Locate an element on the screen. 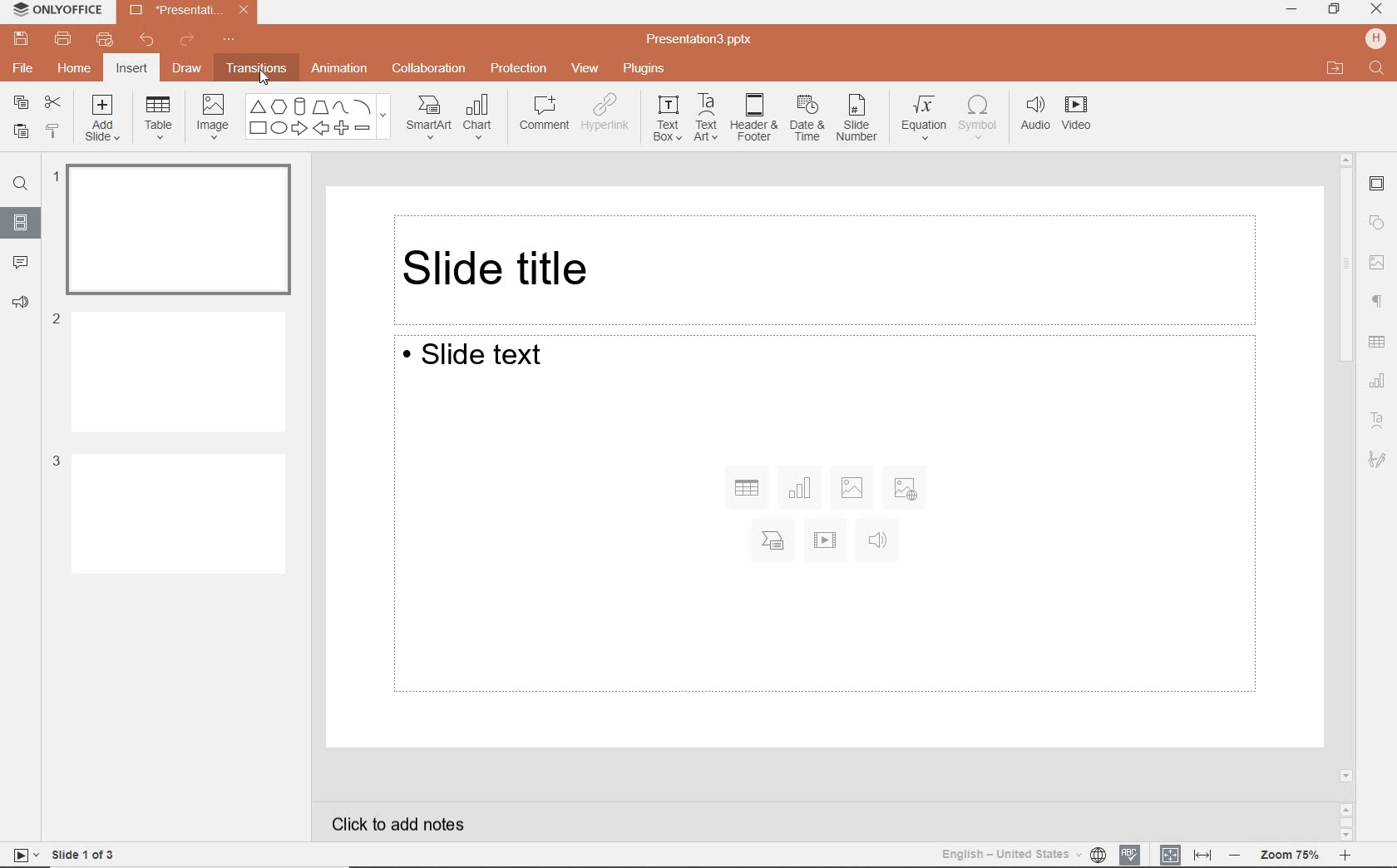  PLUS SIGN is located at coordinates (341, 128).